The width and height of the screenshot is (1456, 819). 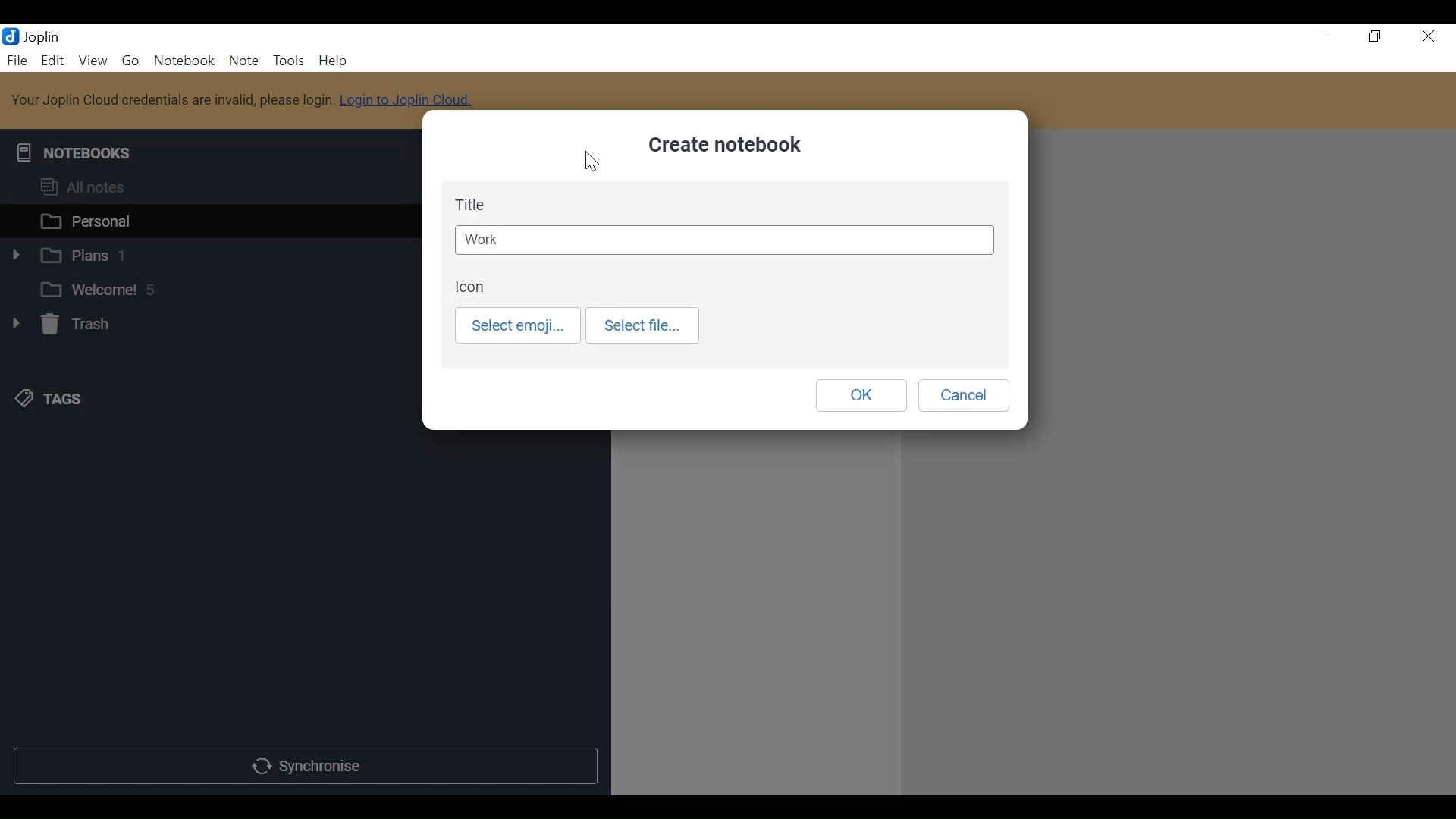 I want to click on Title, so click(x=475, y=205).